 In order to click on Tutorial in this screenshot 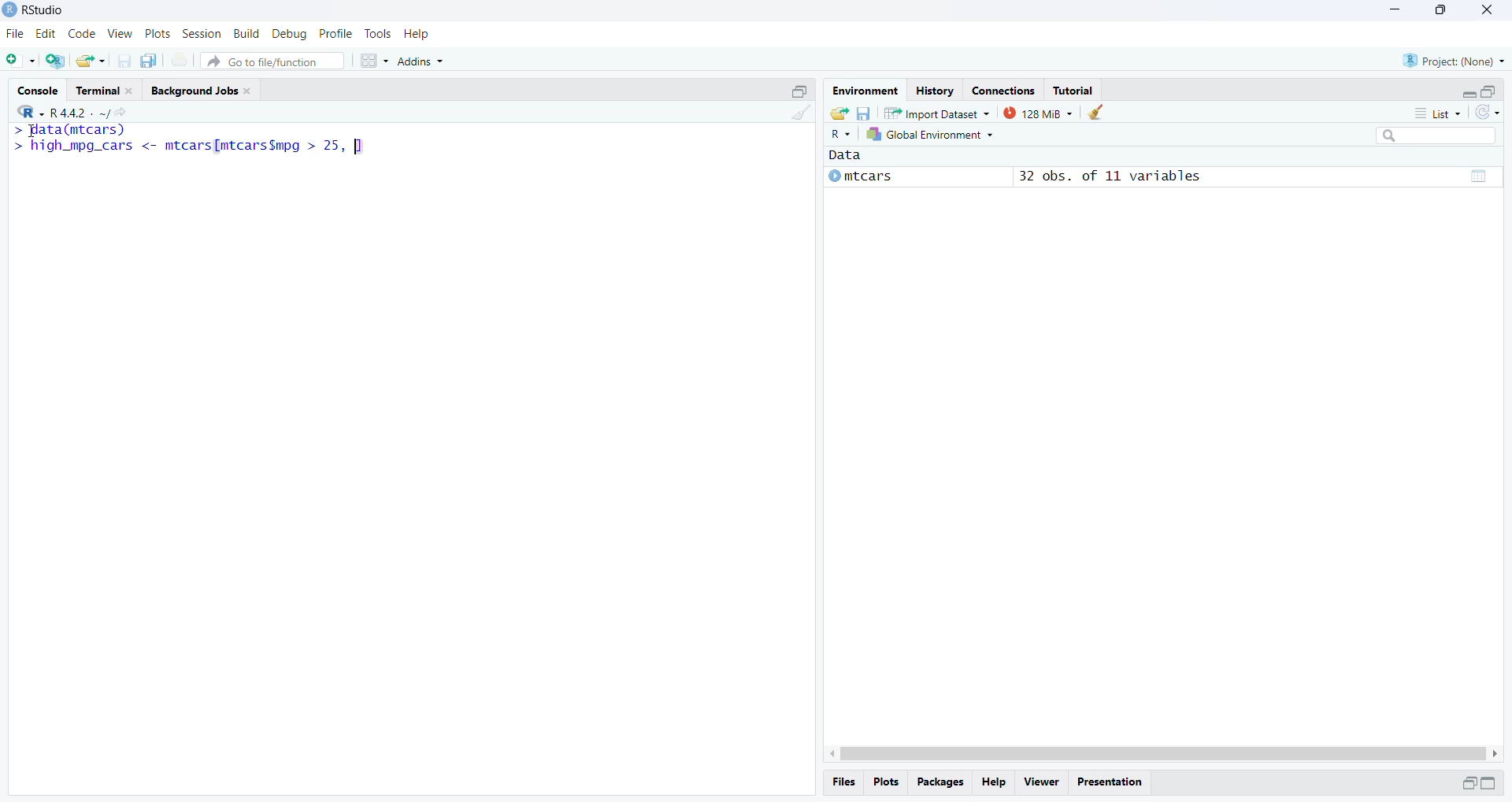, I will do `click(1074, 90)`.